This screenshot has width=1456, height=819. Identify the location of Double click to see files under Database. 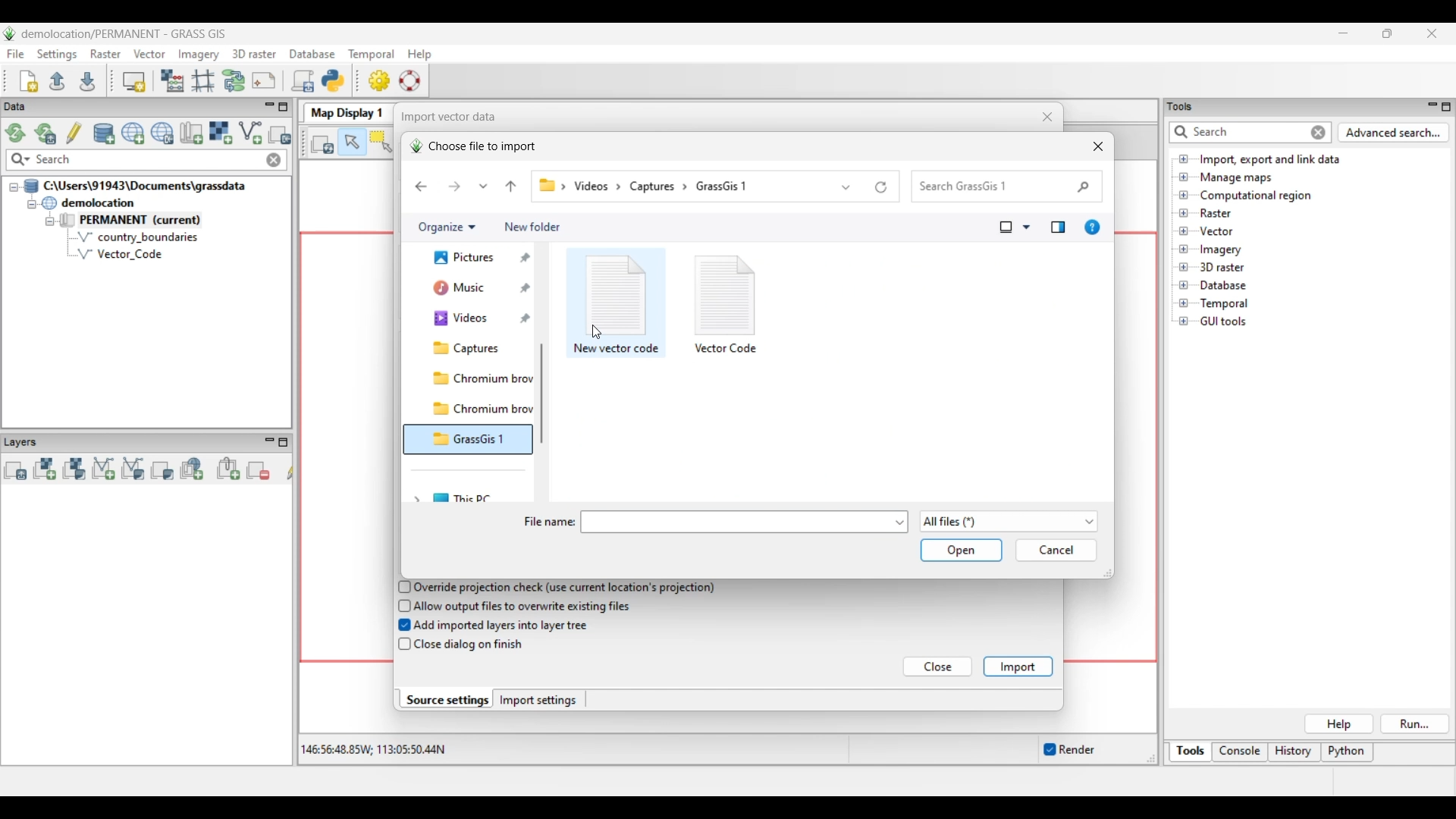
(1222, 286).